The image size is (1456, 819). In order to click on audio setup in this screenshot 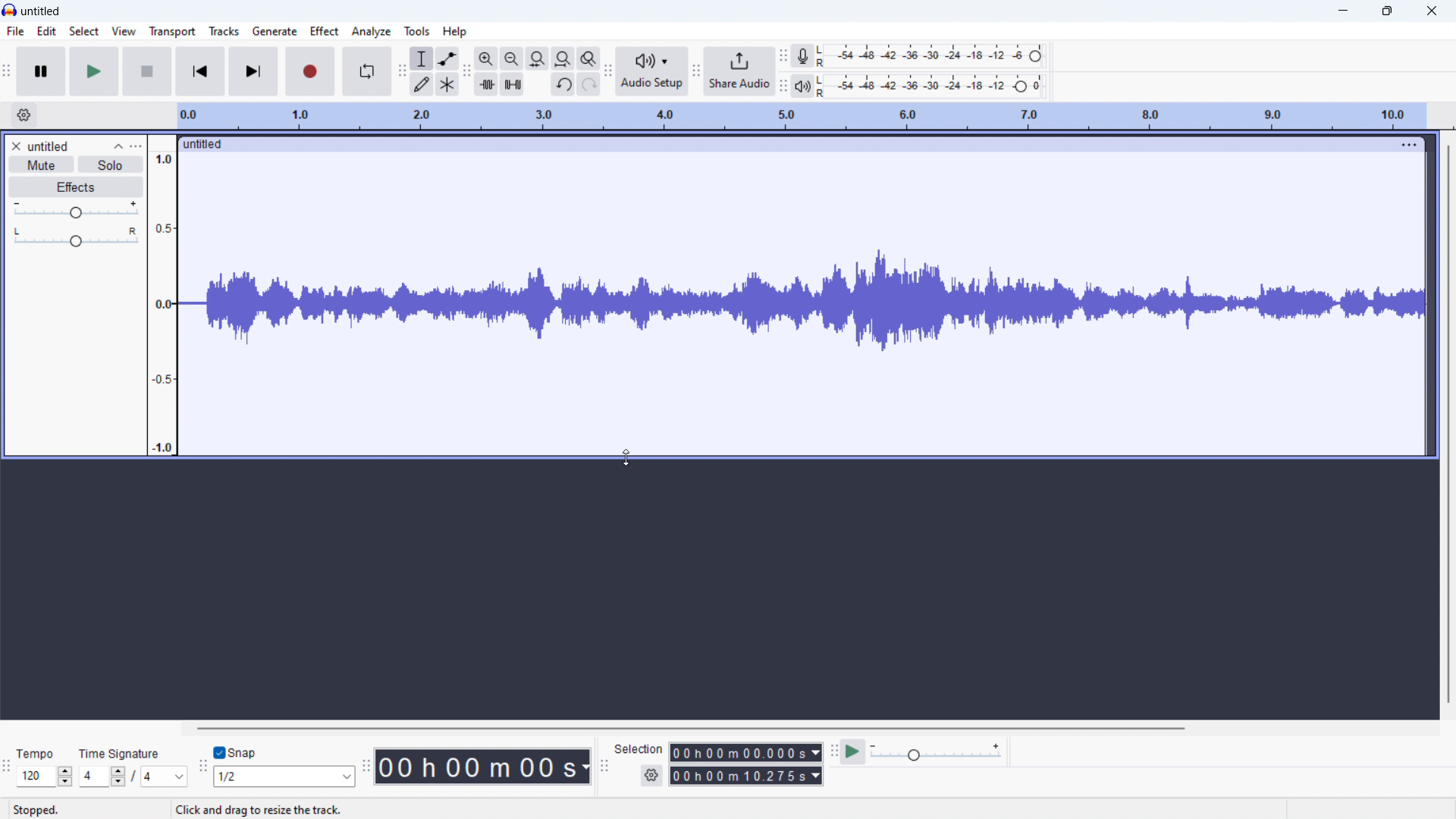, I will do `click(651, 72)`.